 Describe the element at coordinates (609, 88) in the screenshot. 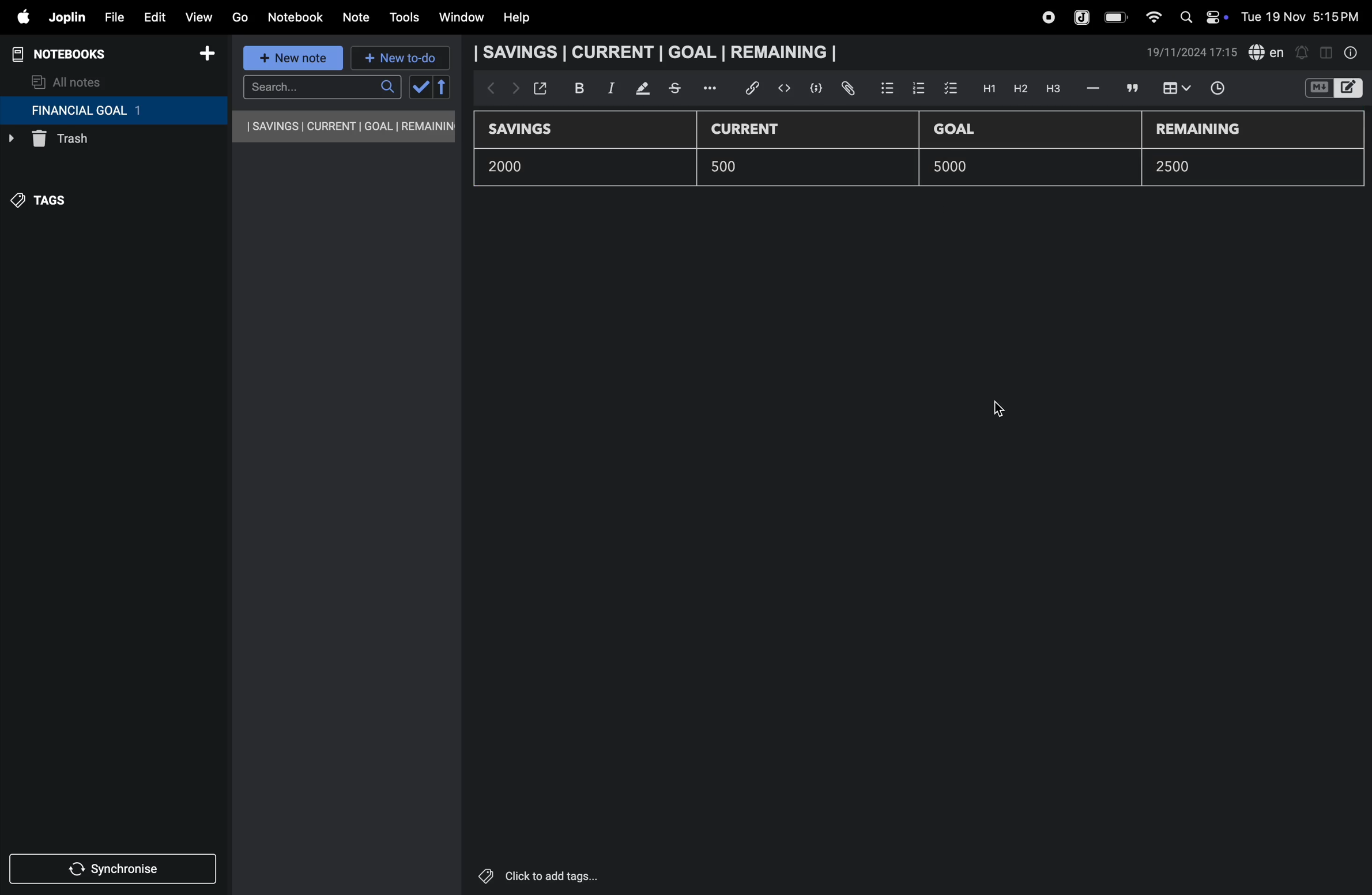

I see `itallic` at that location.